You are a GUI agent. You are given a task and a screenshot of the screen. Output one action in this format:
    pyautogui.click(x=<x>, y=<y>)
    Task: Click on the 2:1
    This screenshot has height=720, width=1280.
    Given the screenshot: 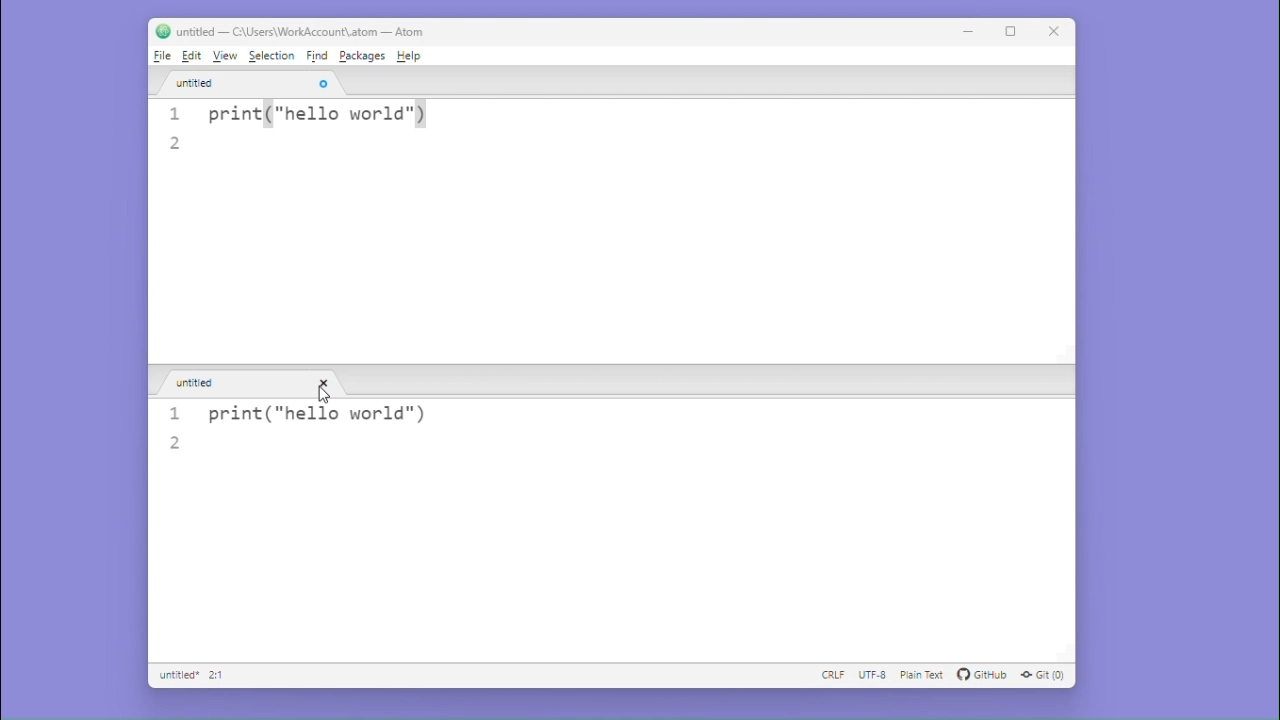 What is the action you would take?
    pyautogui.click(x=218, y=677)
    